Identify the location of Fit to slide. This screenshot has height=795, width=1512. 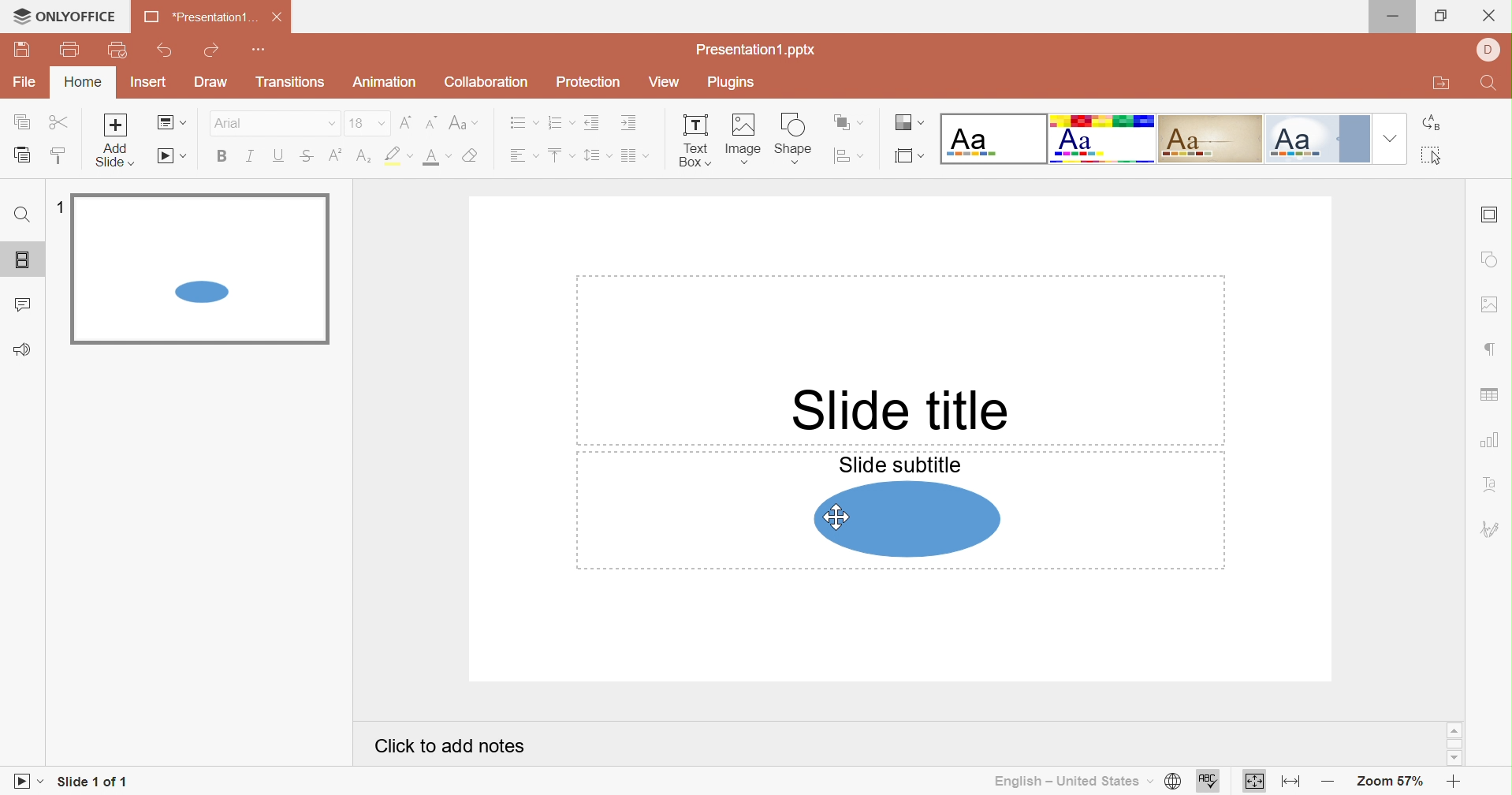
(1255, 782).